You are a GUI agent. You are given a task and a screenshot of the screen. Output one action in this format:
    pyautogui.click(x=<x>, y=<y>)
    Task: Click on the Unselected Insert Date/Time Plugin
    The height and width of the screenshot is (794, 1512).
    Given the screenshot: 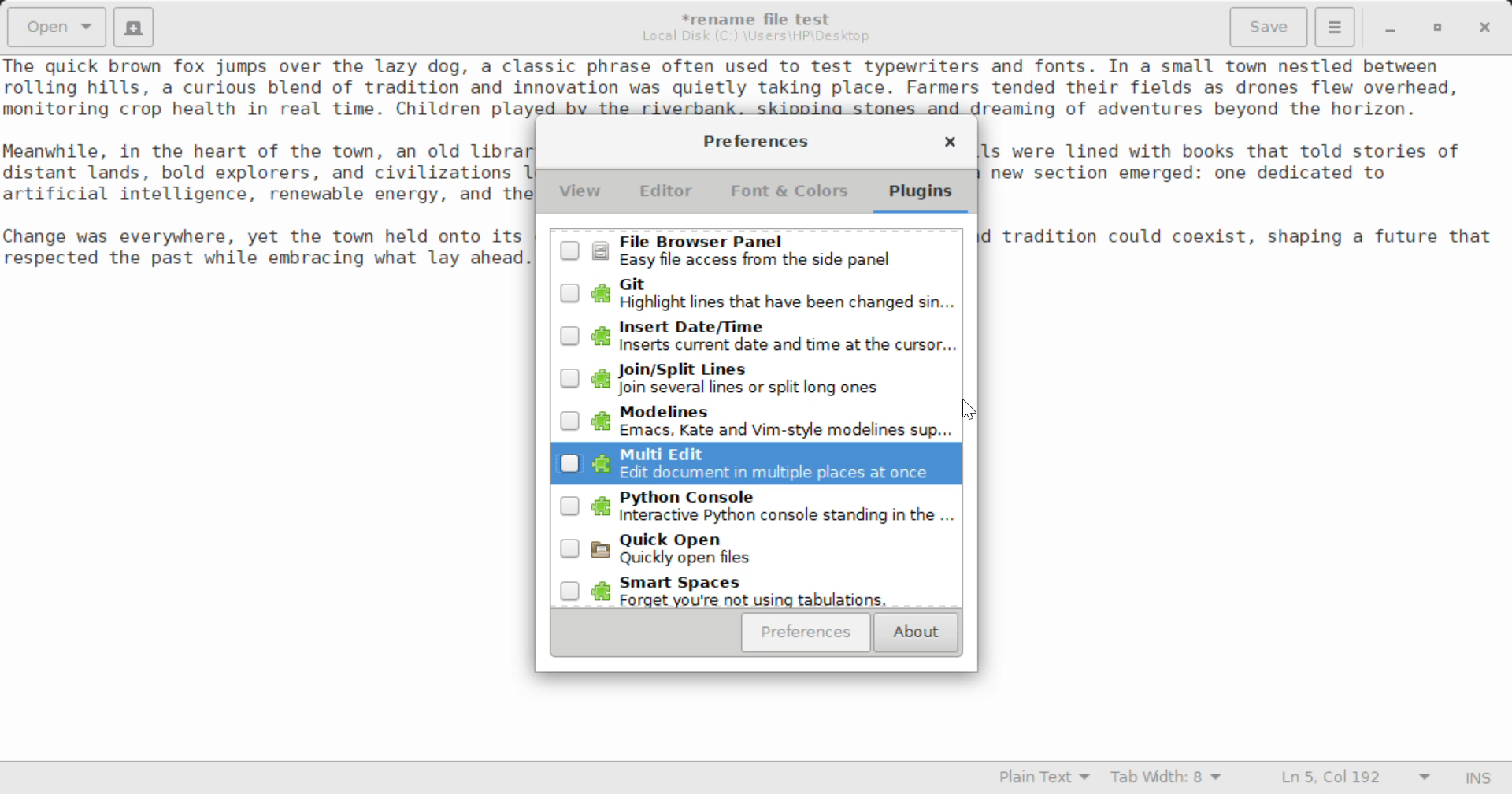 What is the action you would take?
    pyautogui.click(x=753, y=333)
    